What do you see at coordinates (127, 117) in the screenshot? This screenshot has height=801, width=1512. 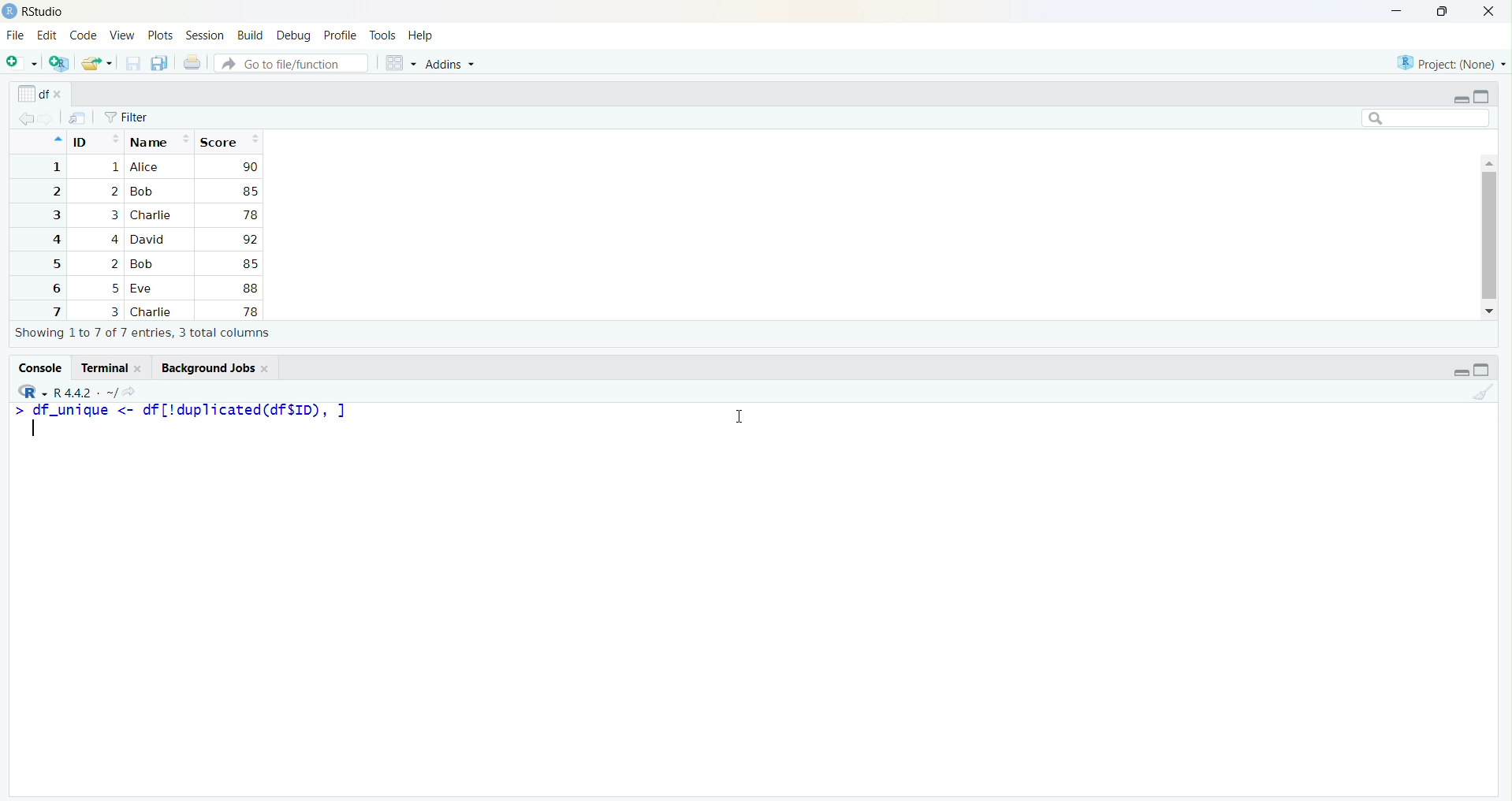 I see `filter` at bounding box center [127, 117].